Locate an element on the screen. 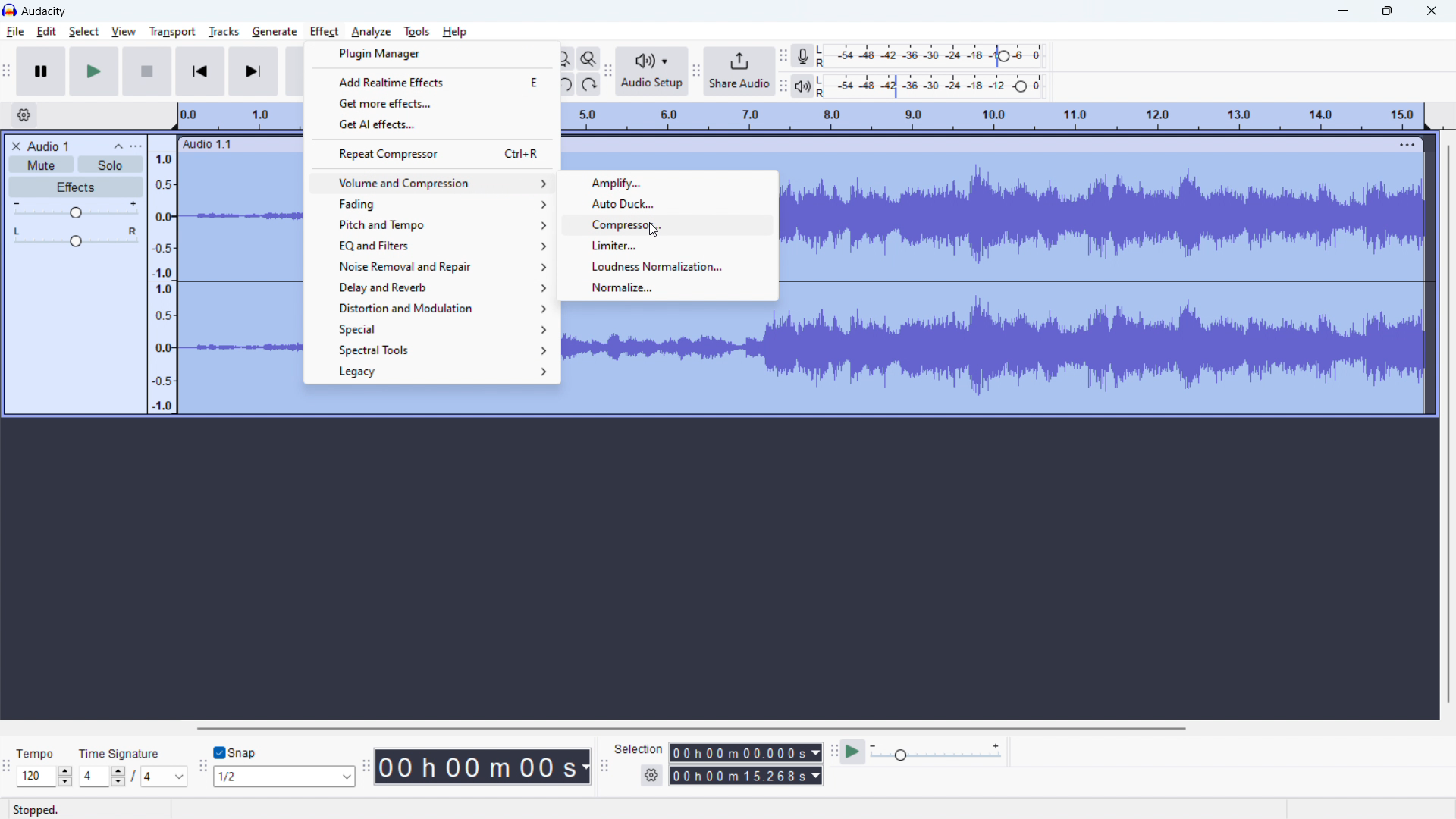 Image resolution: width=1456 pixels, height=819 pixels. project title is located at coordinates (48, 146).